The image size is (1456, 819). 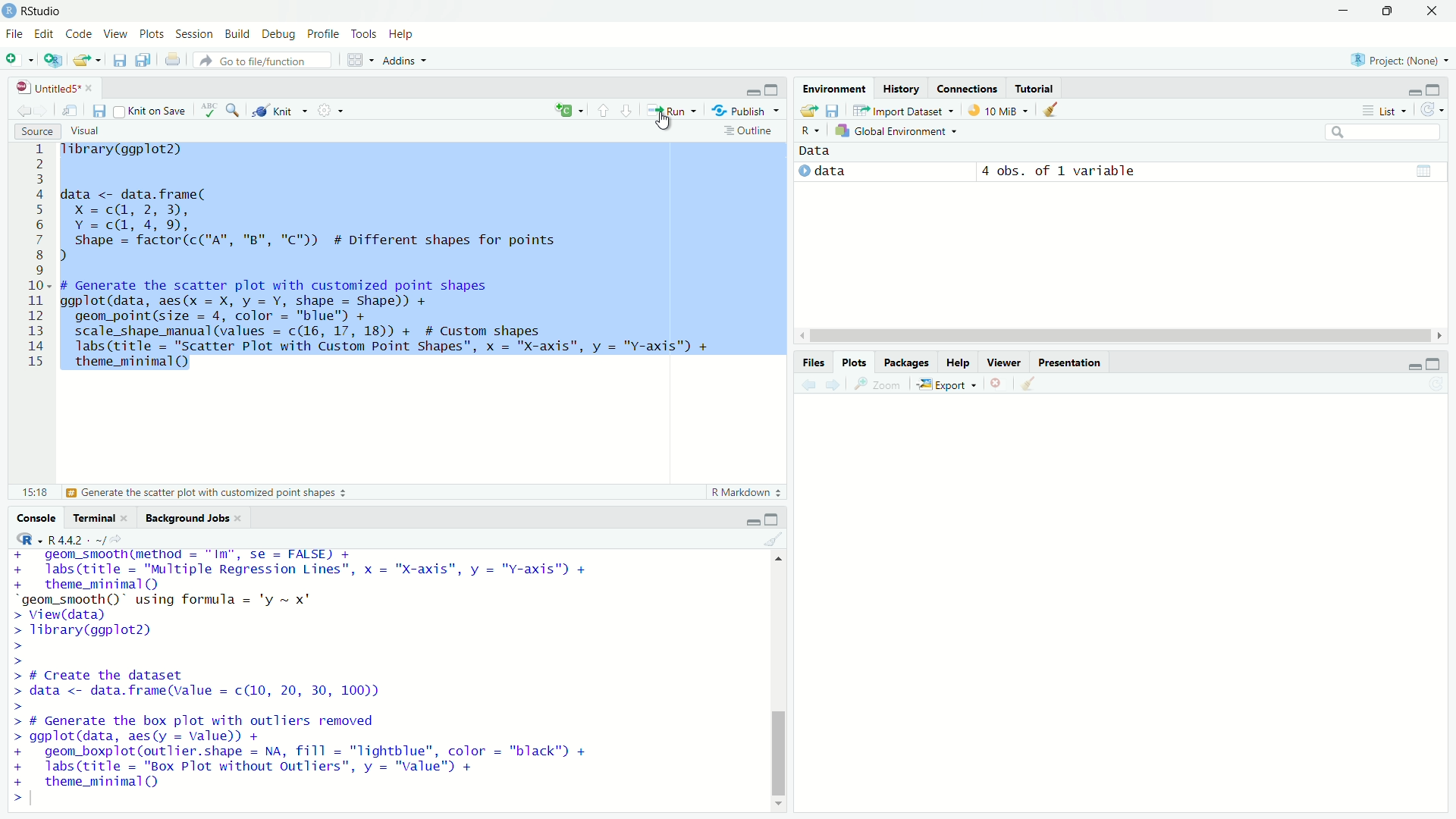 What do you see at coordinates (834, 89) in the screenshot?
I see `Environment` at bounding box center [834, 89].